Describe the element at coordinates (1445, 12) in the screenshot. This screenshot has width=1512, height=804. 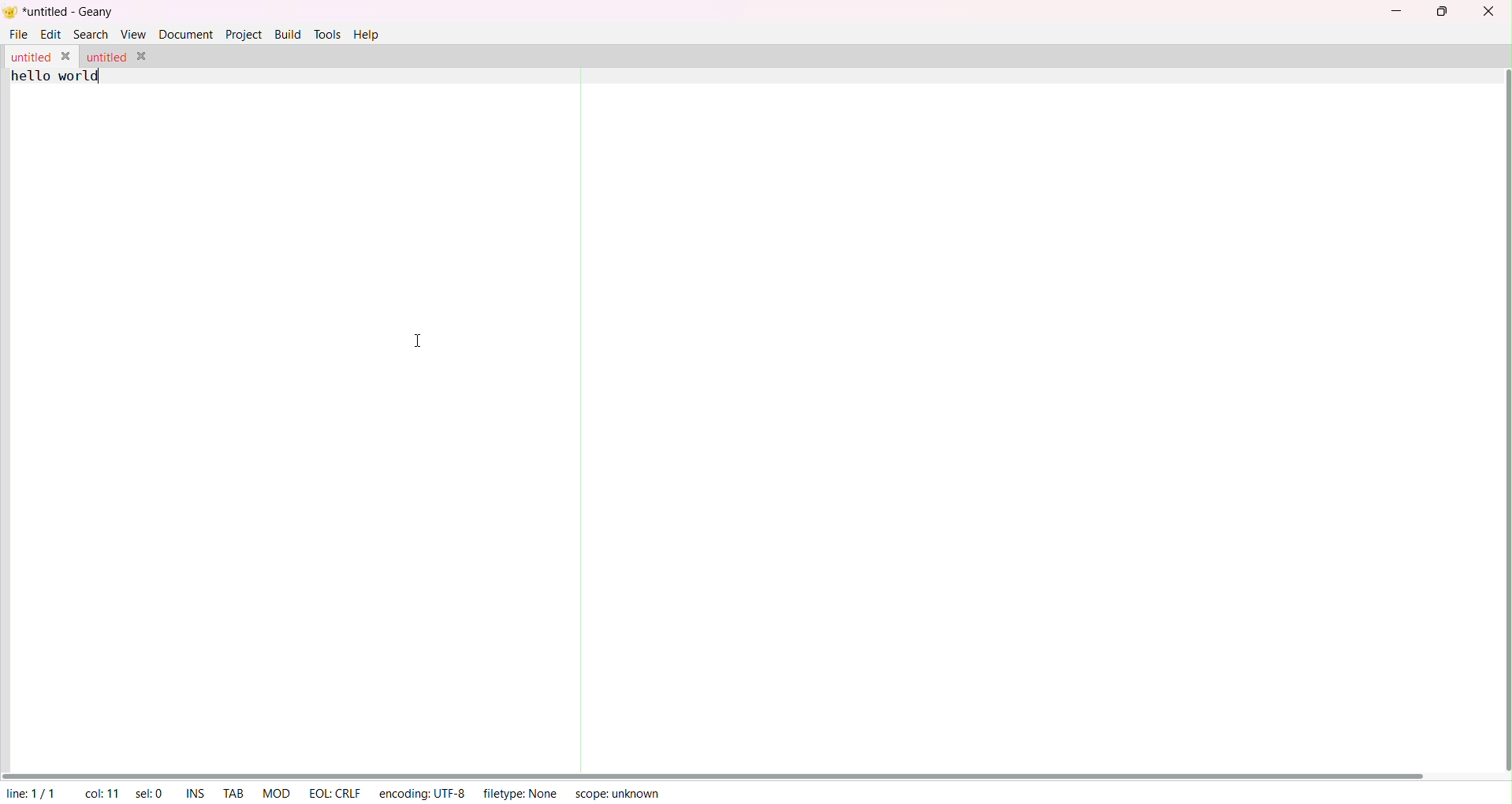
I see `maximize` at that location.